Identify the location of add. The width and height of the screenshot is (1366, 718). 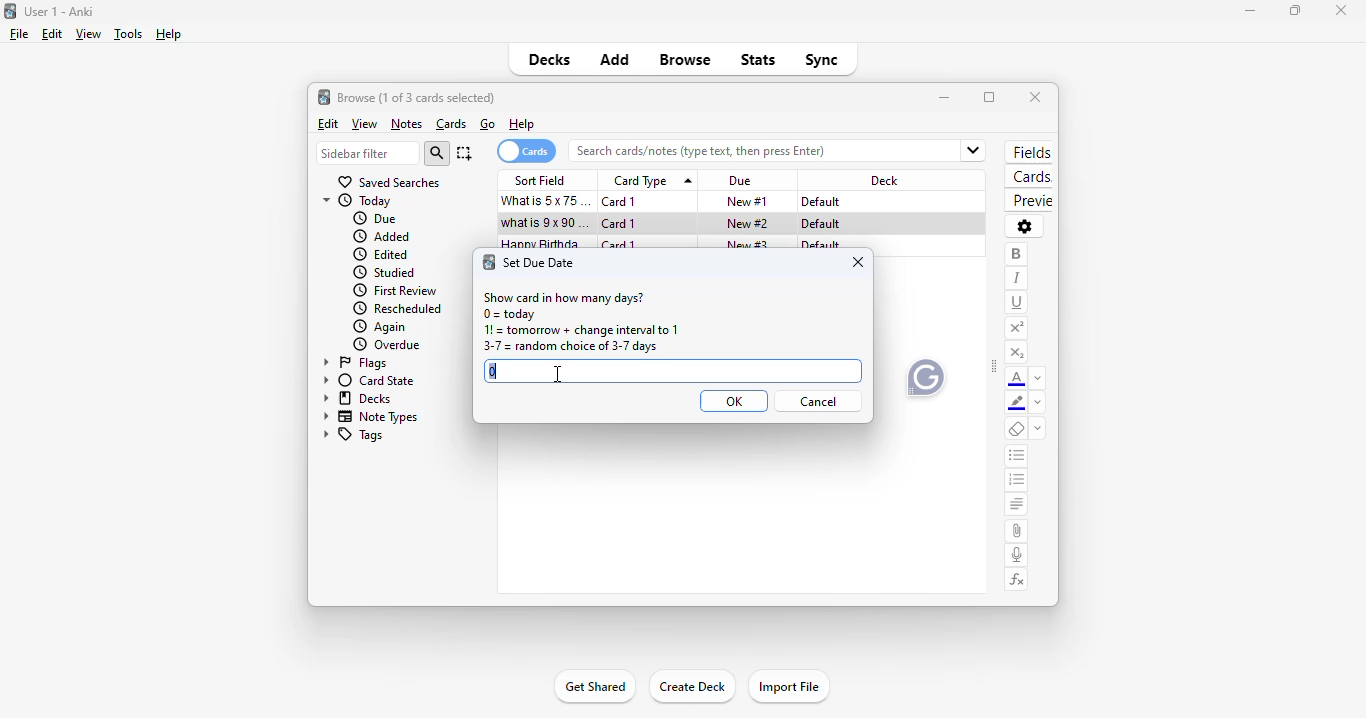
(616, 58).